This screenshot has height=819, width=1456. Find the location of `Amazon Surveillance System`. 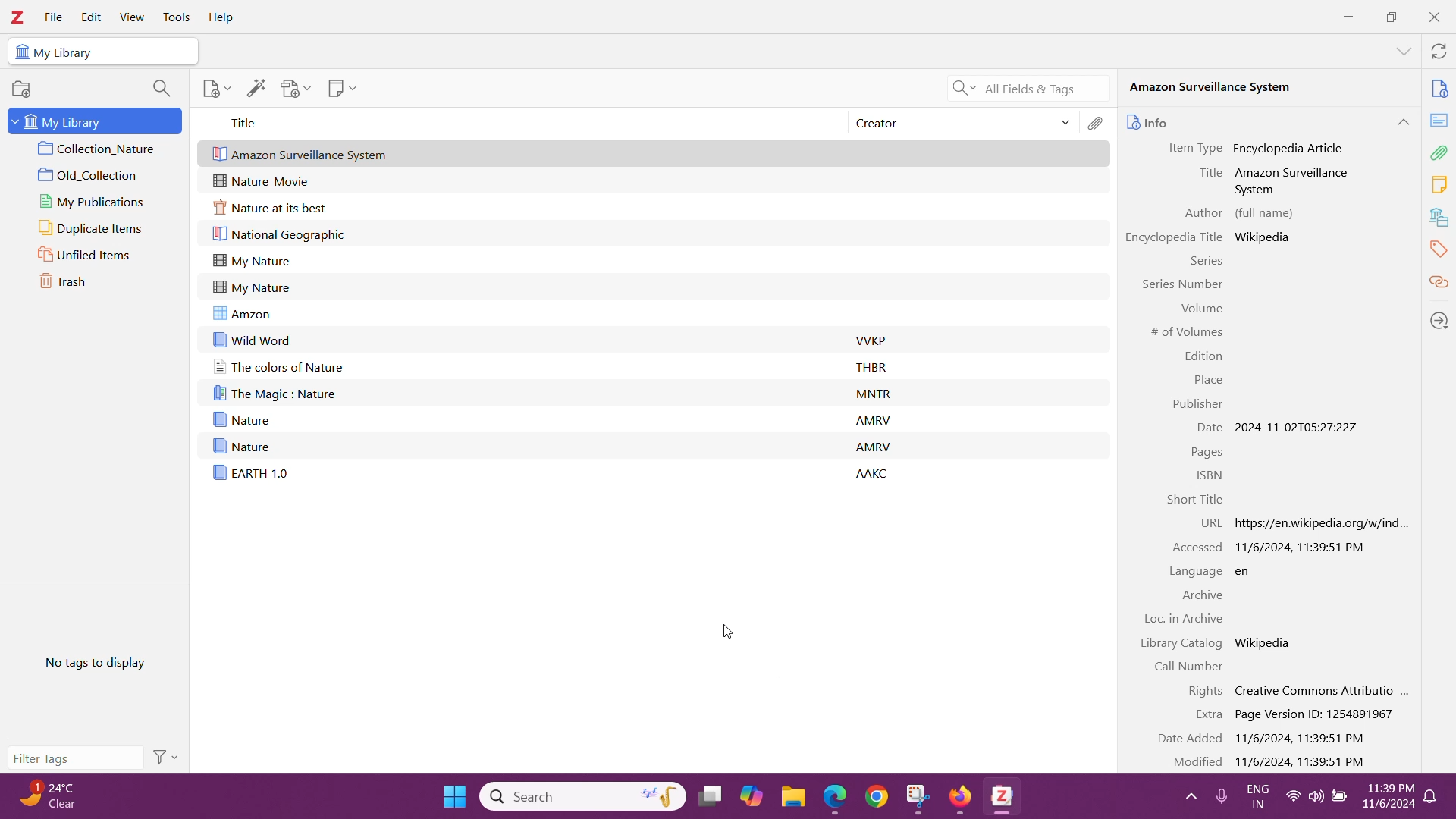

Amazon Surveillance System is located at coordinates (1306, 181).